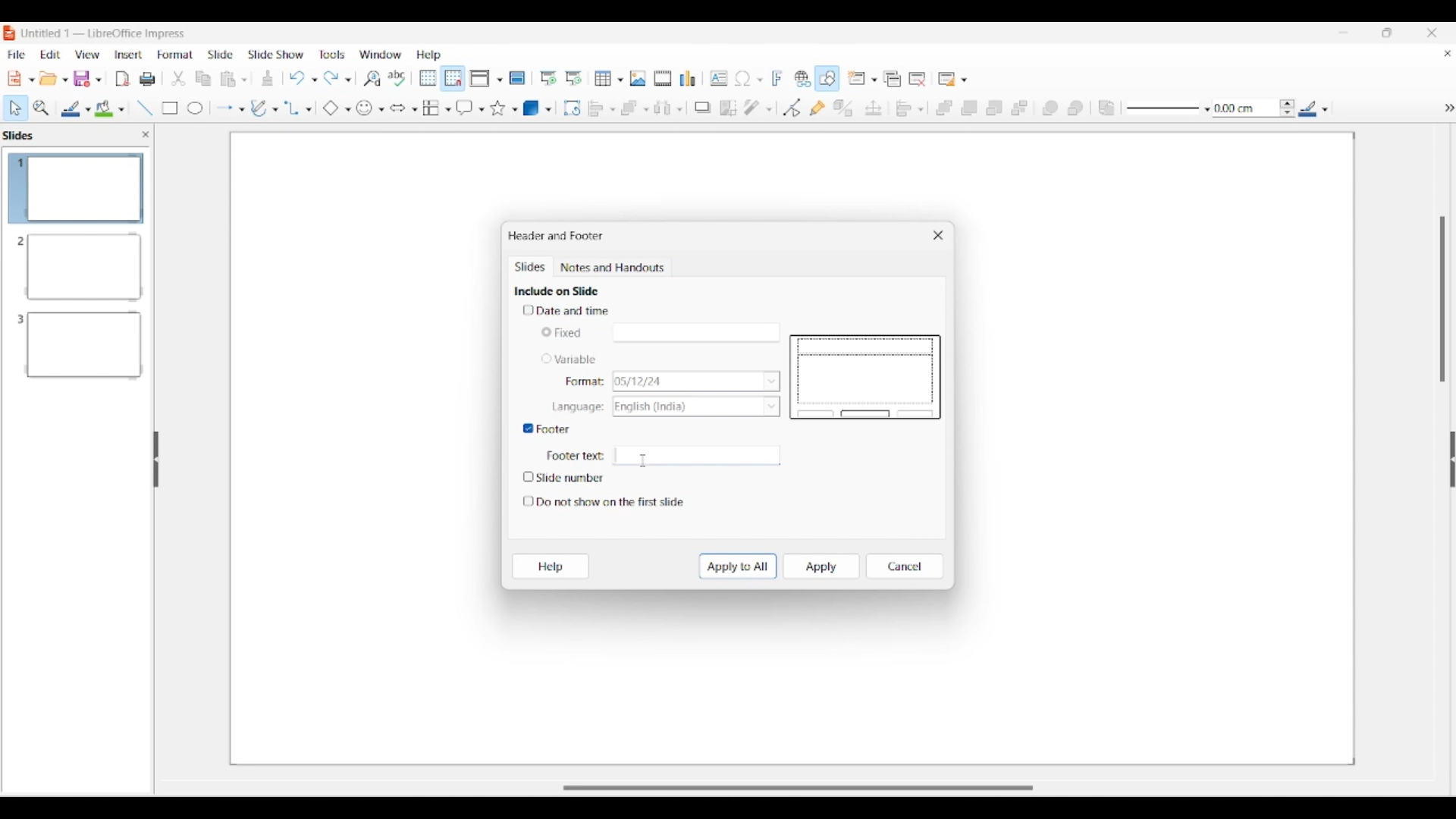  I want to click on Start from current slide, so click(575, 78).